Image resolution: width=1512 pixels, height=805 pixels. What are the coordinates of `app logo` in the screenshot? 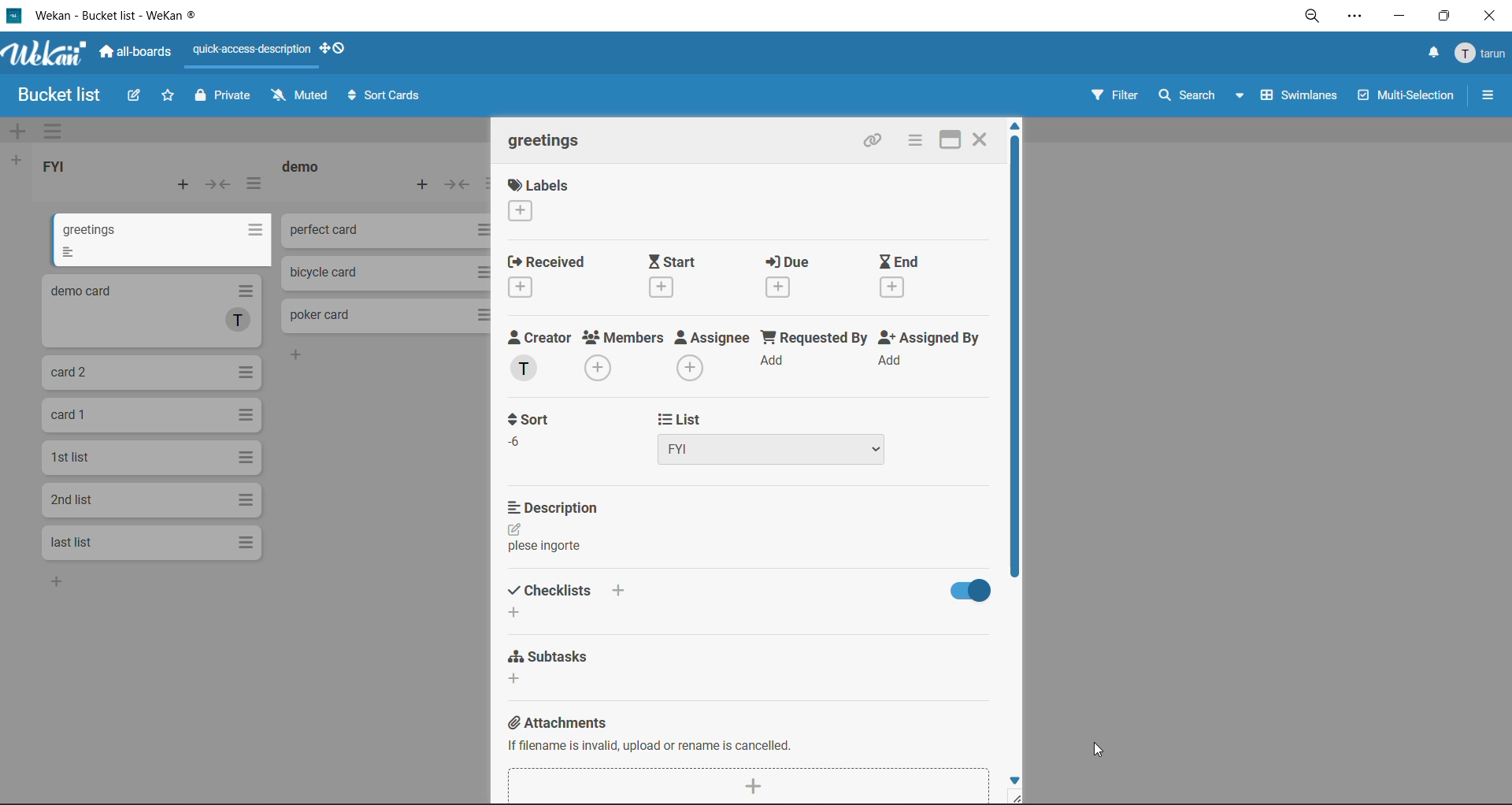 It's located at (47, 57).